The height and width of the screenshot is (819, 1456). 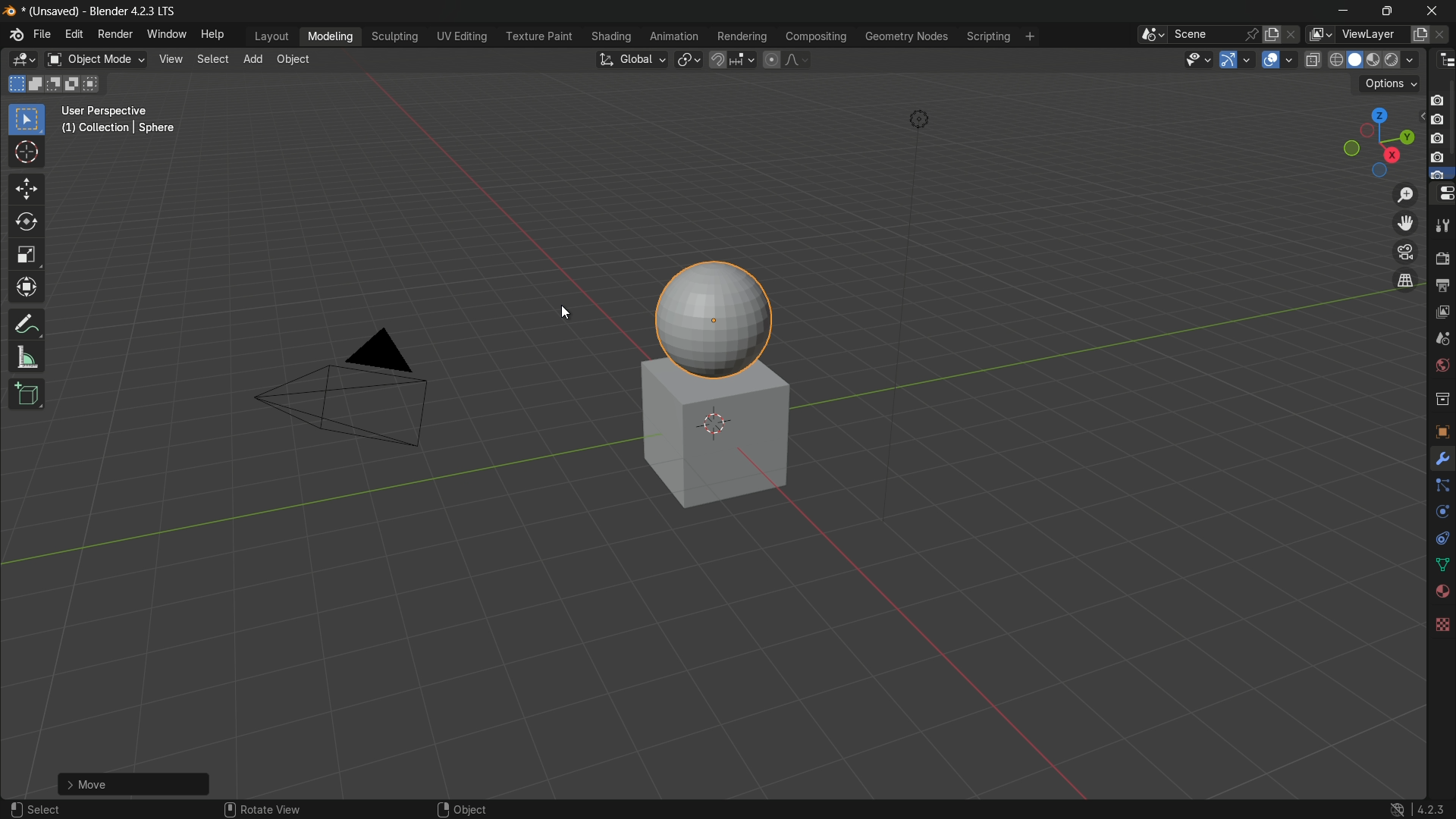 I want to click on switch mode, so click(x=94, y=59).